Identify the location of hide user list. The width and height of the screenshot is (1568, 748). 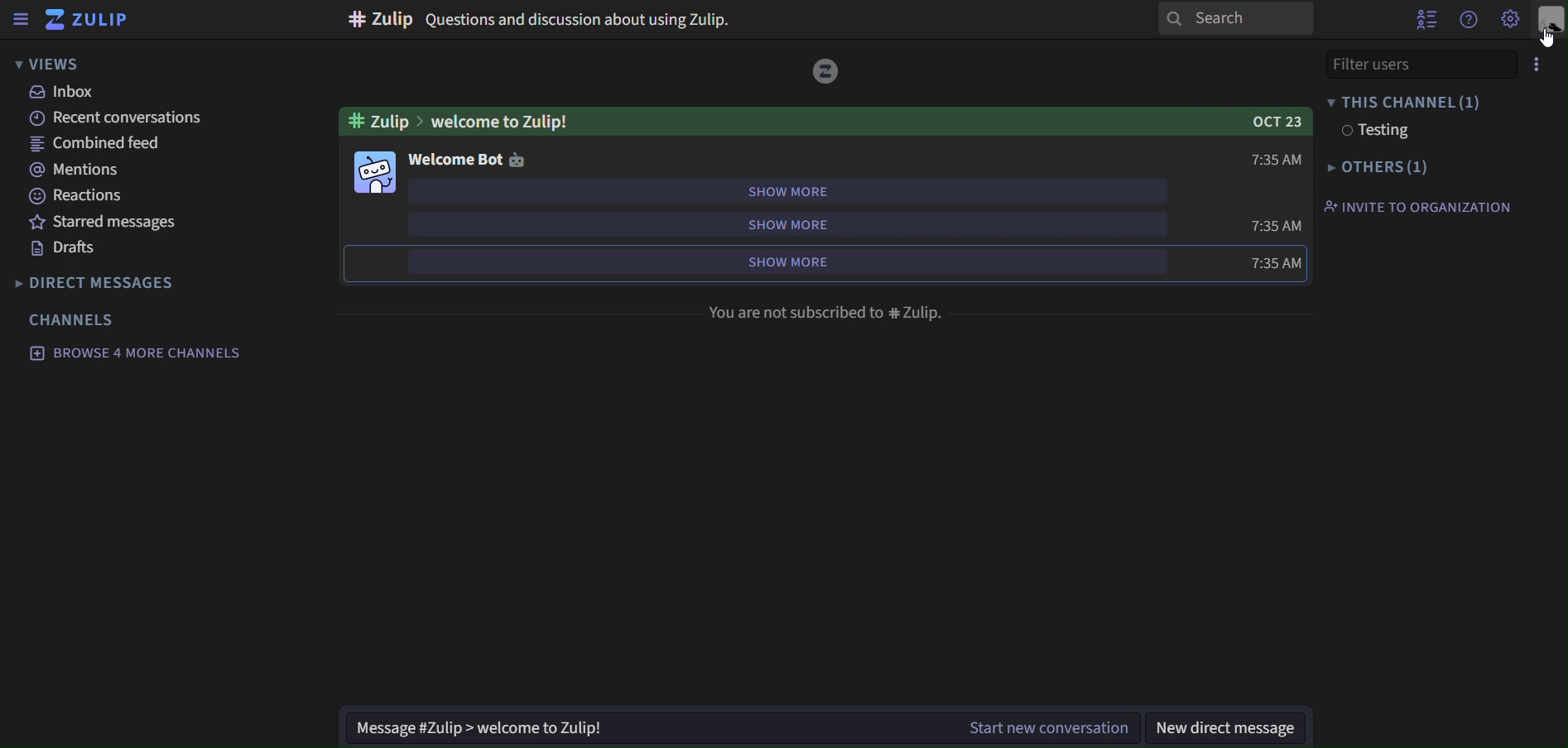
(1426, 19).